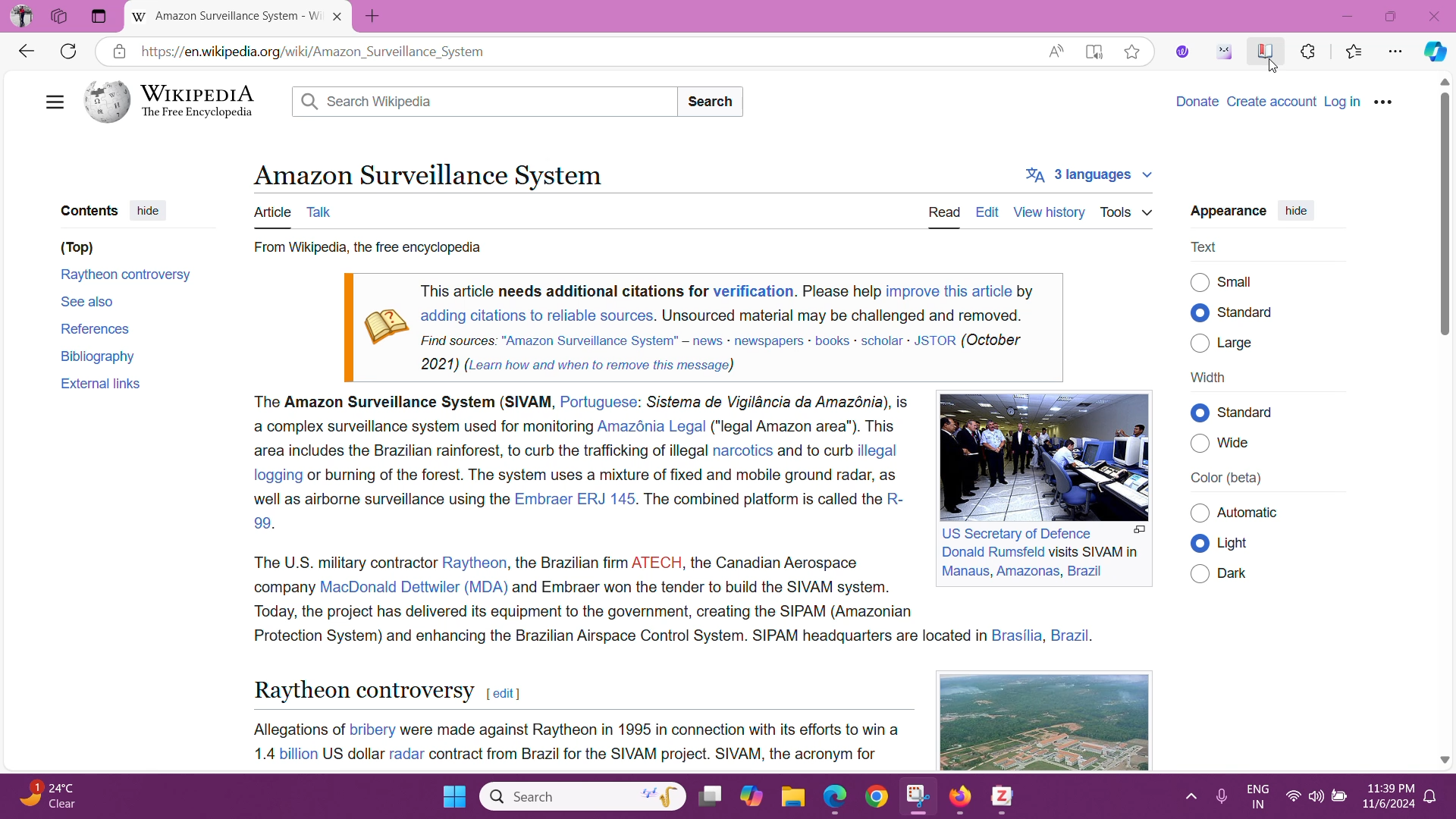  What do you see at coordinates (22, 16) in the screenshot?
I see `profile` at bounding box center [22, 16].